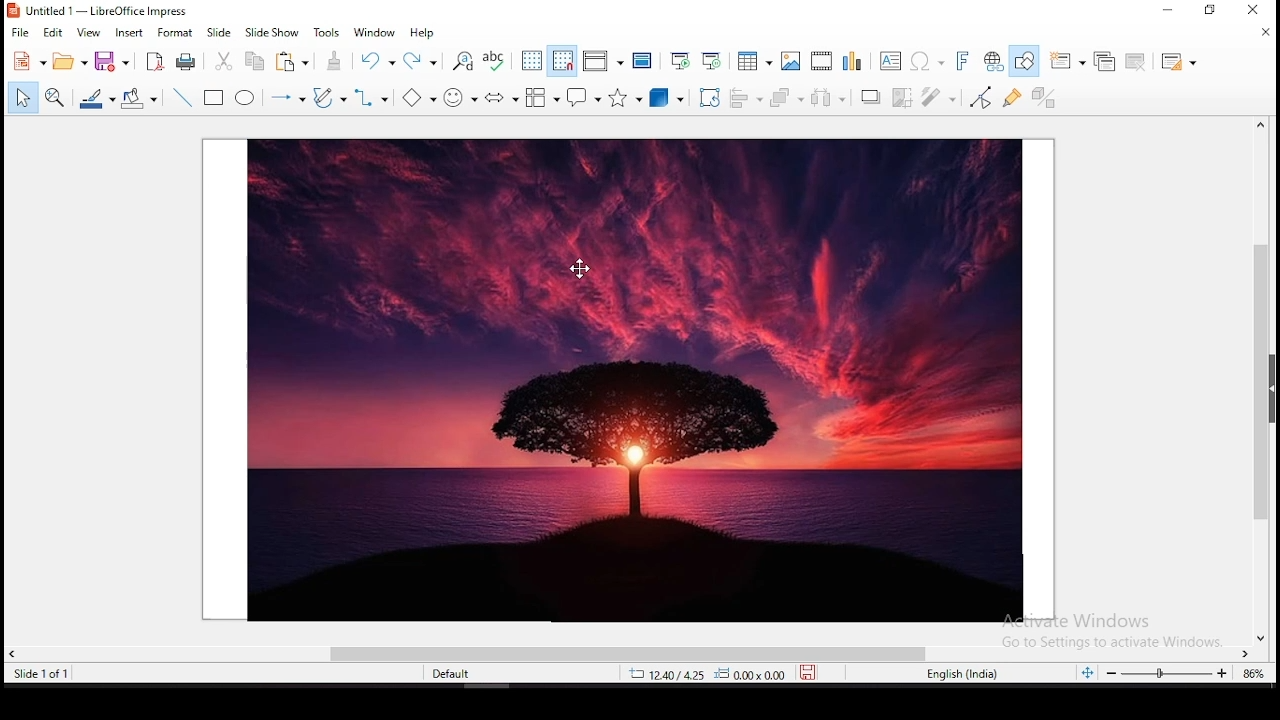 The image size is (1280, 720). What do you see at coordinates (870, 98) in the screenshot?
I see `Shadow` at bounding box center [870, 98].